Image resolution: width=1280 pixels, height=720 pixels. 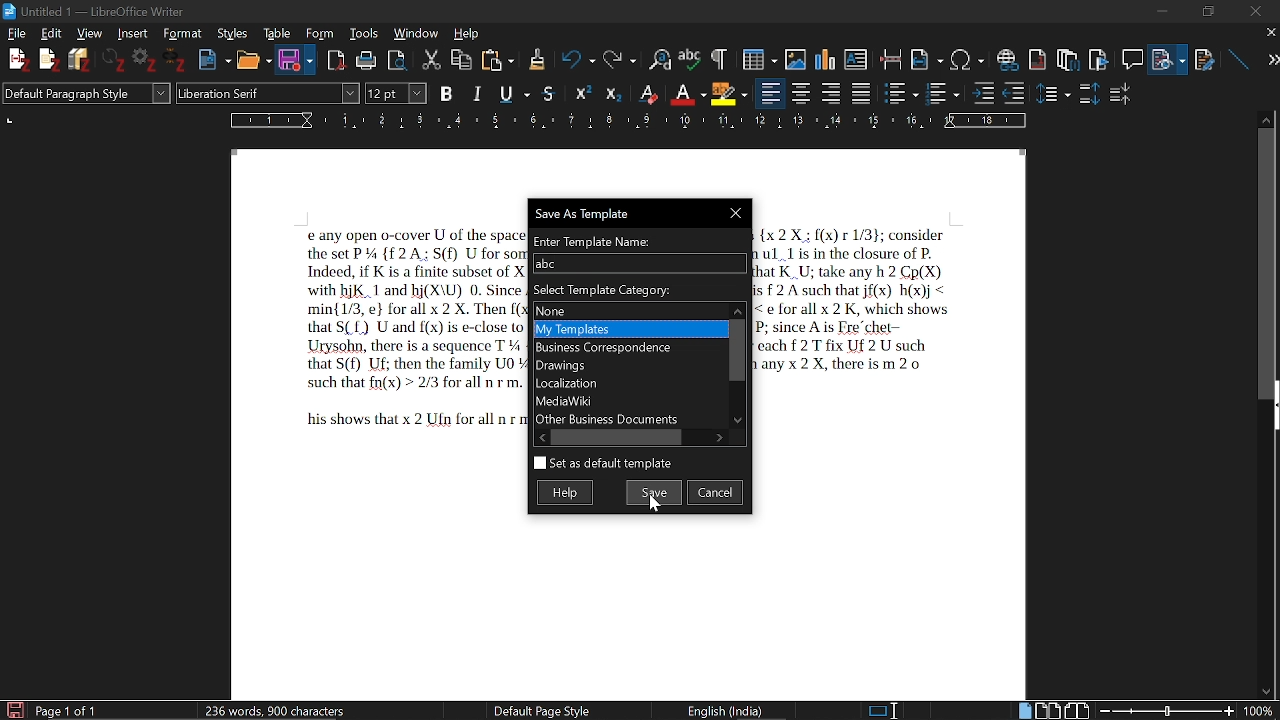 What do you see at coordinates (733, 709) in the screenshot?
I see `English(India)` at bounding box center [733, 709].